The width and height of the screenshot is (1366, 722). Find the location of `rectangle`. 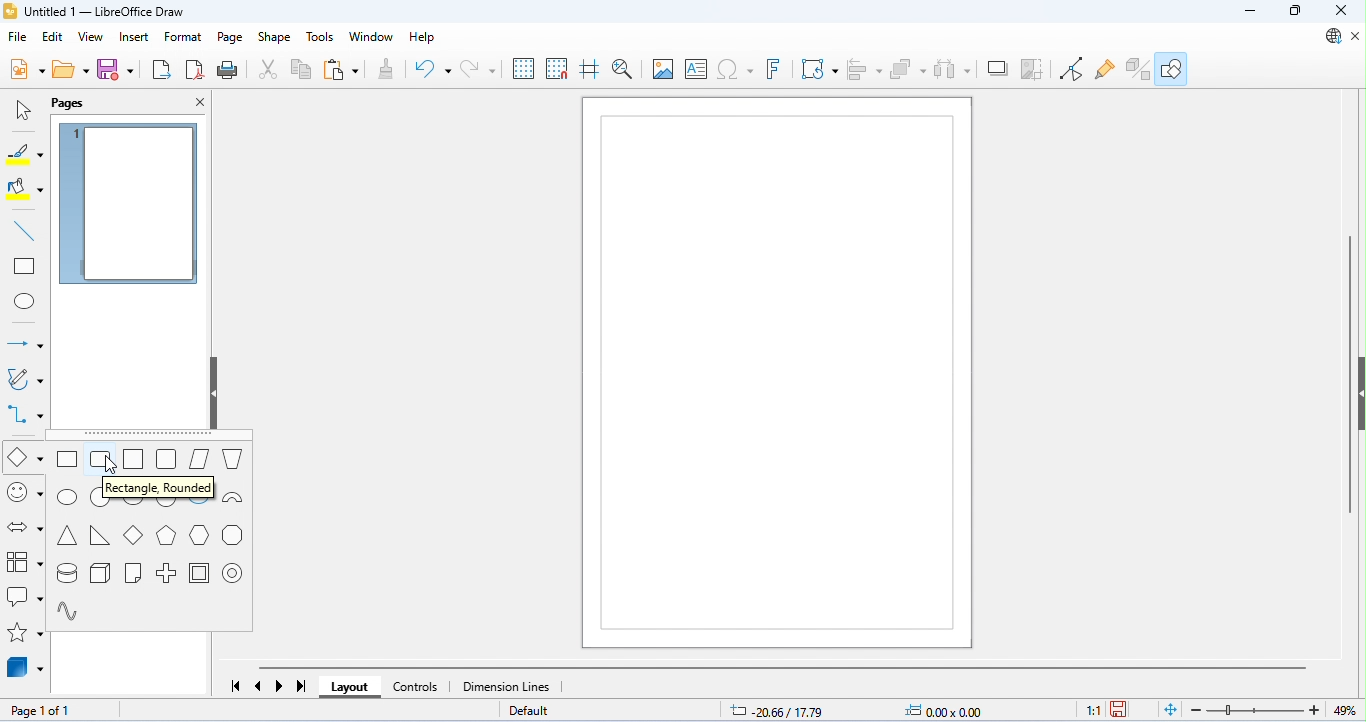

rectangle is located at coordinates (68, 459).